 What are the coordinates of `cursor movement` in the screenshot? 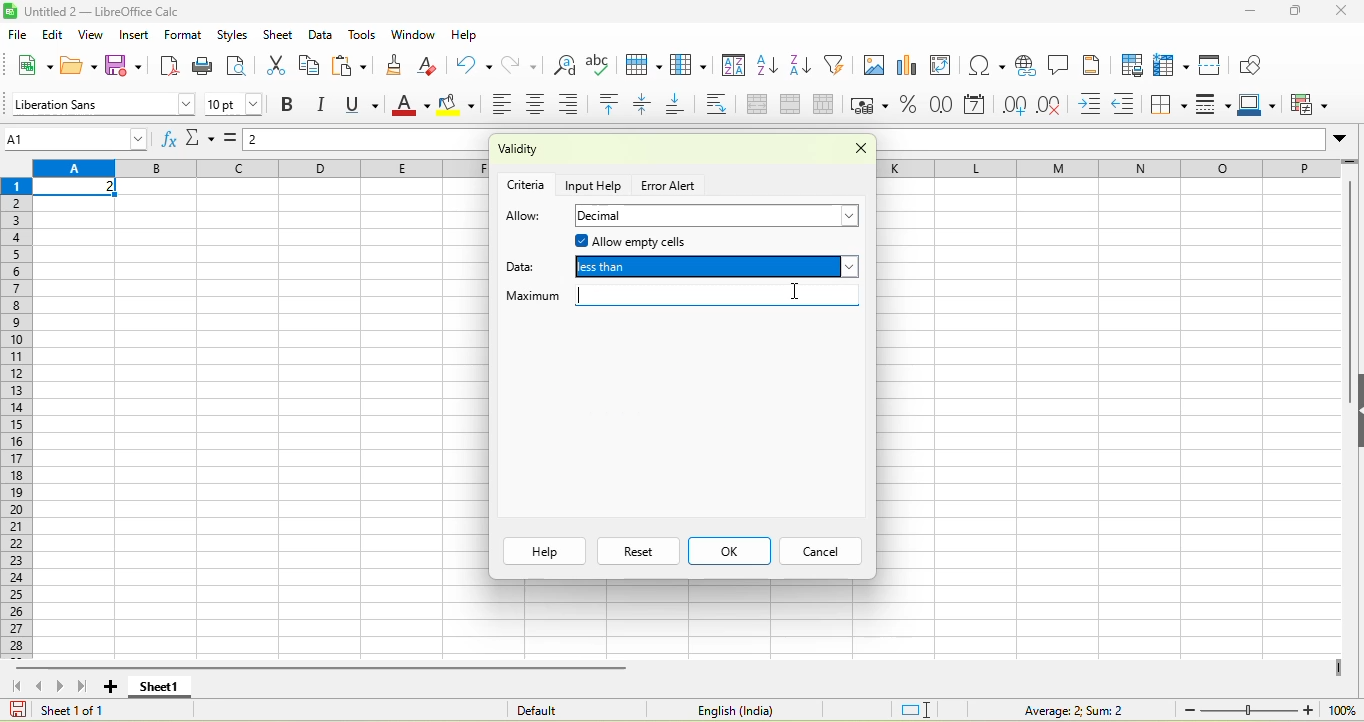 It's located at (798, 290).